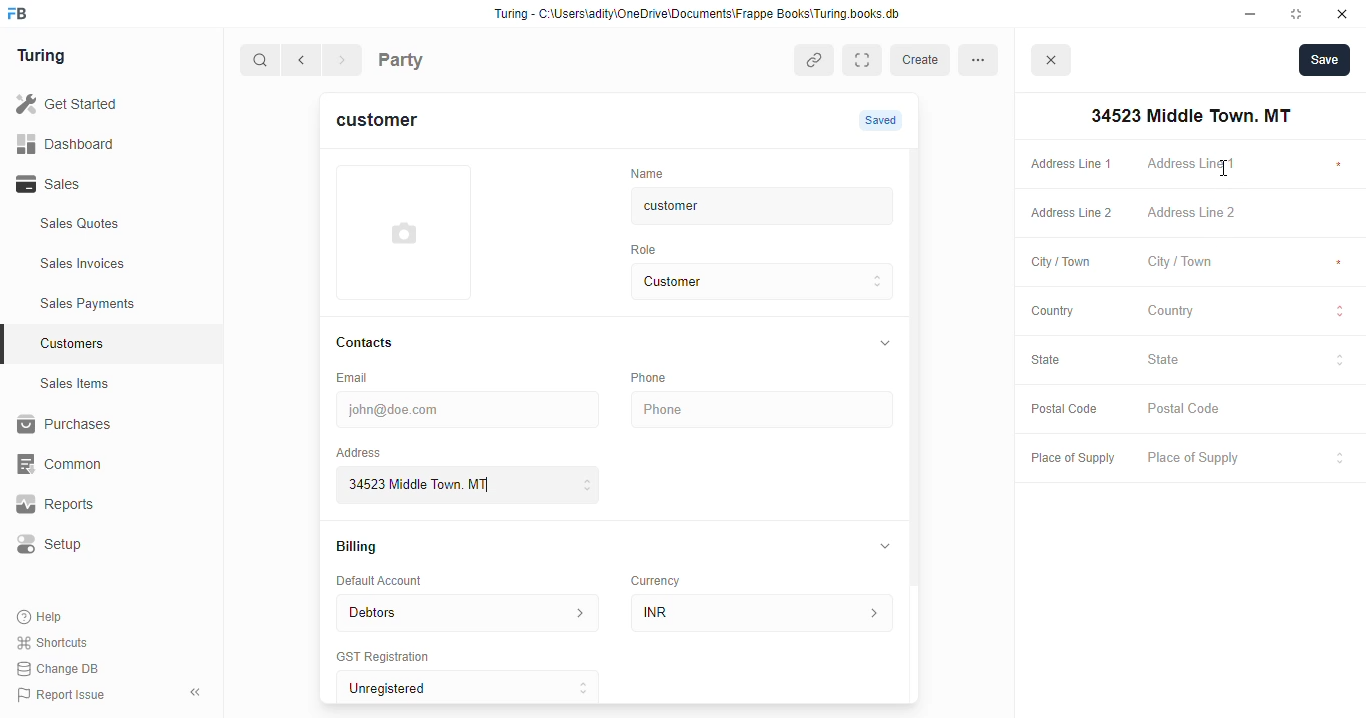 The height and width of the screenshot is (718, 1366). Describe the element at coordinates (765, 410) in the screenshot. I see `Phone` at that location.